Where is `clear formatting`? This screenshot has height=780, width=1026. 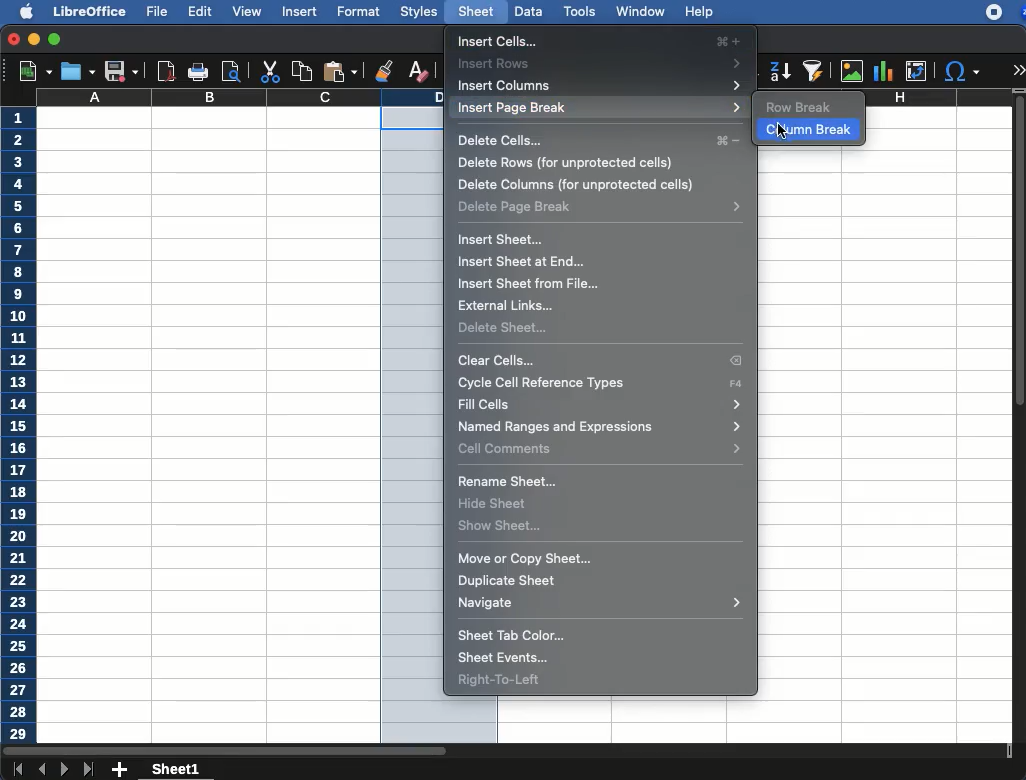 clear formatting is located at coordinates (417, 73).